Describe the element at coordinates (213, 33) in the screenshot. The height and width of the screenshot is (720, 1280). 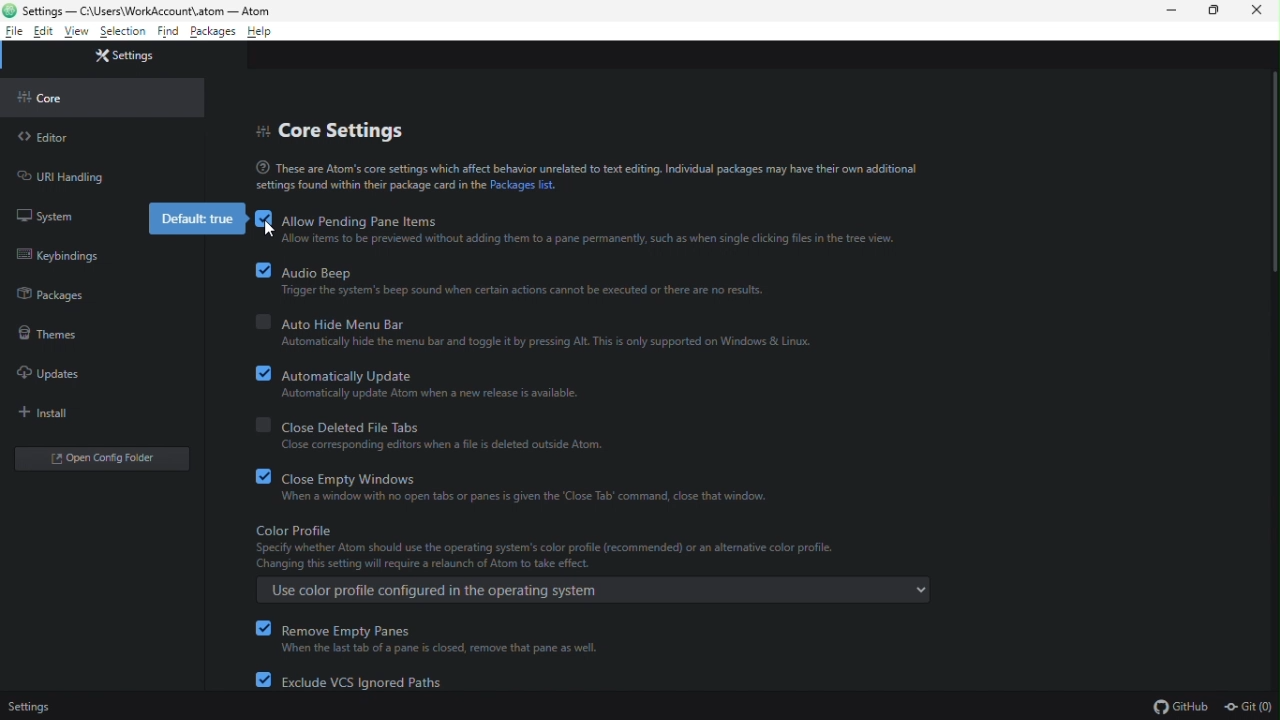
I see `packages` at that location.